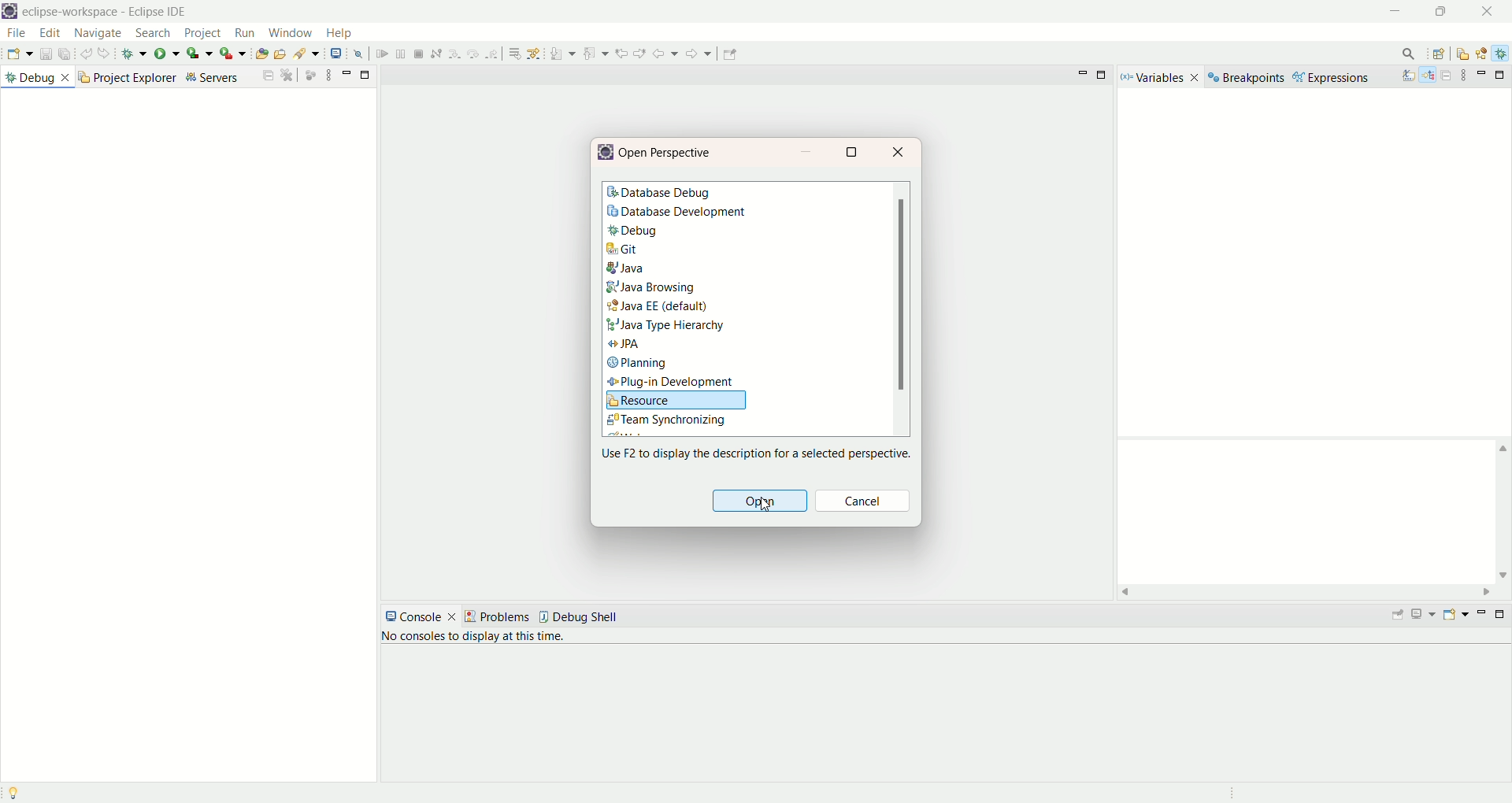  I want to click on scroll bar, so click(900, 309).